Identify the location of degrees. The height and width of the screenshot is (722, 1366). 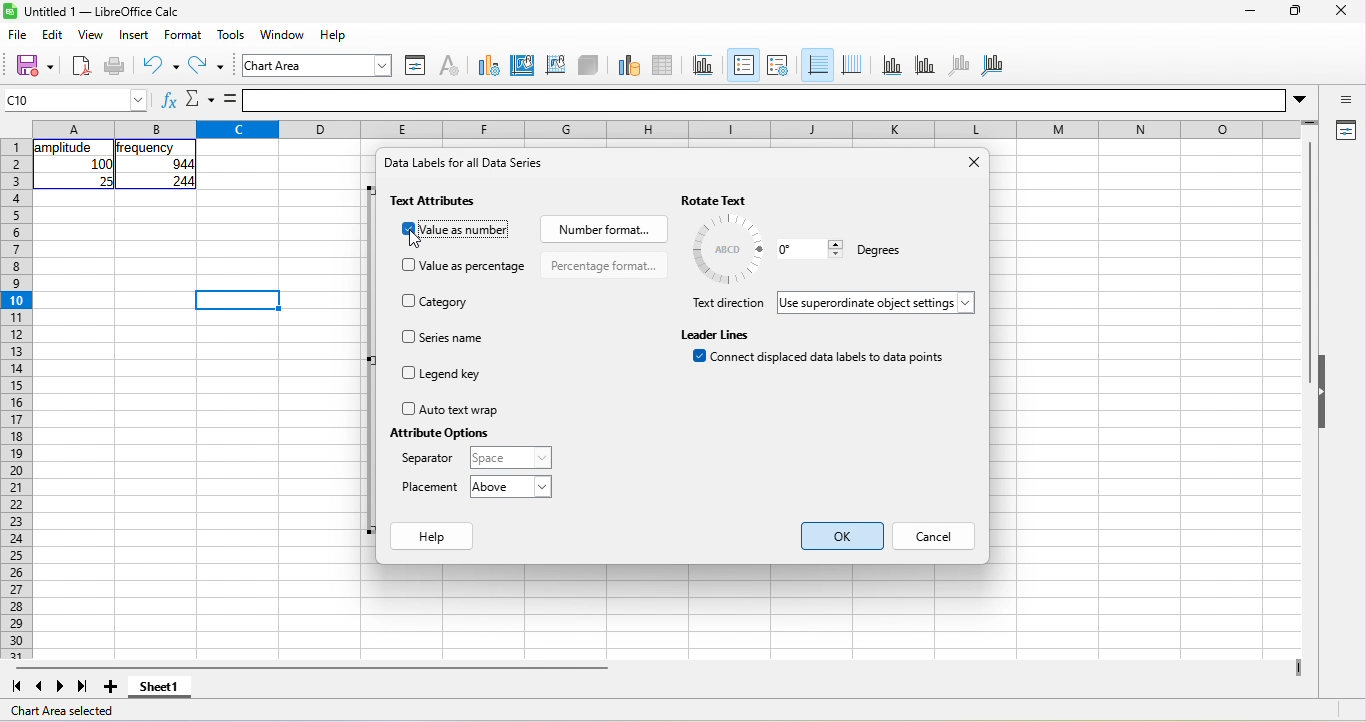
(729, 249).